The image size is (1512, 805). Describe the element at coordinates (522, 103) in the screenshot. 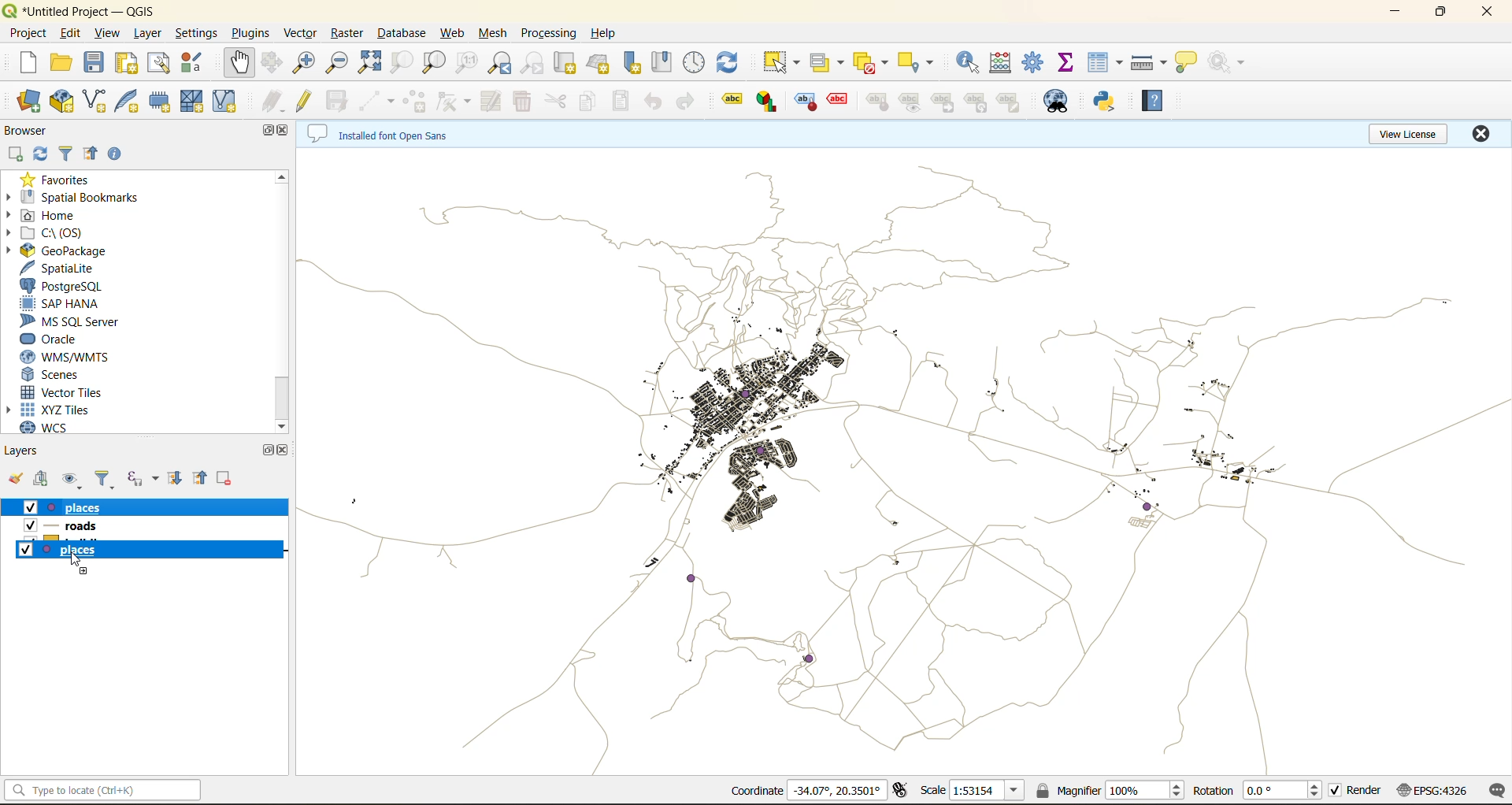

I see `delete` at that location.